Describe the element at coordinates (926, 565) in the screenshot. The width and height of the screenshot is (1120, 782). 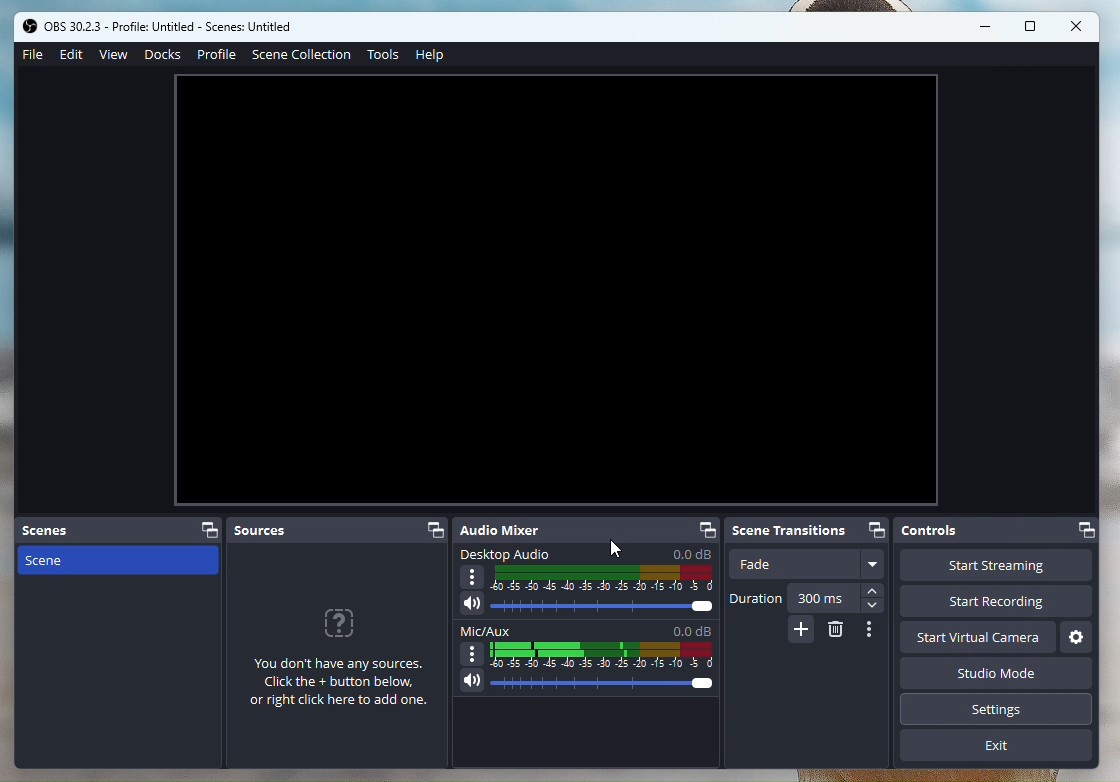
I see `Start streaming` at that location.